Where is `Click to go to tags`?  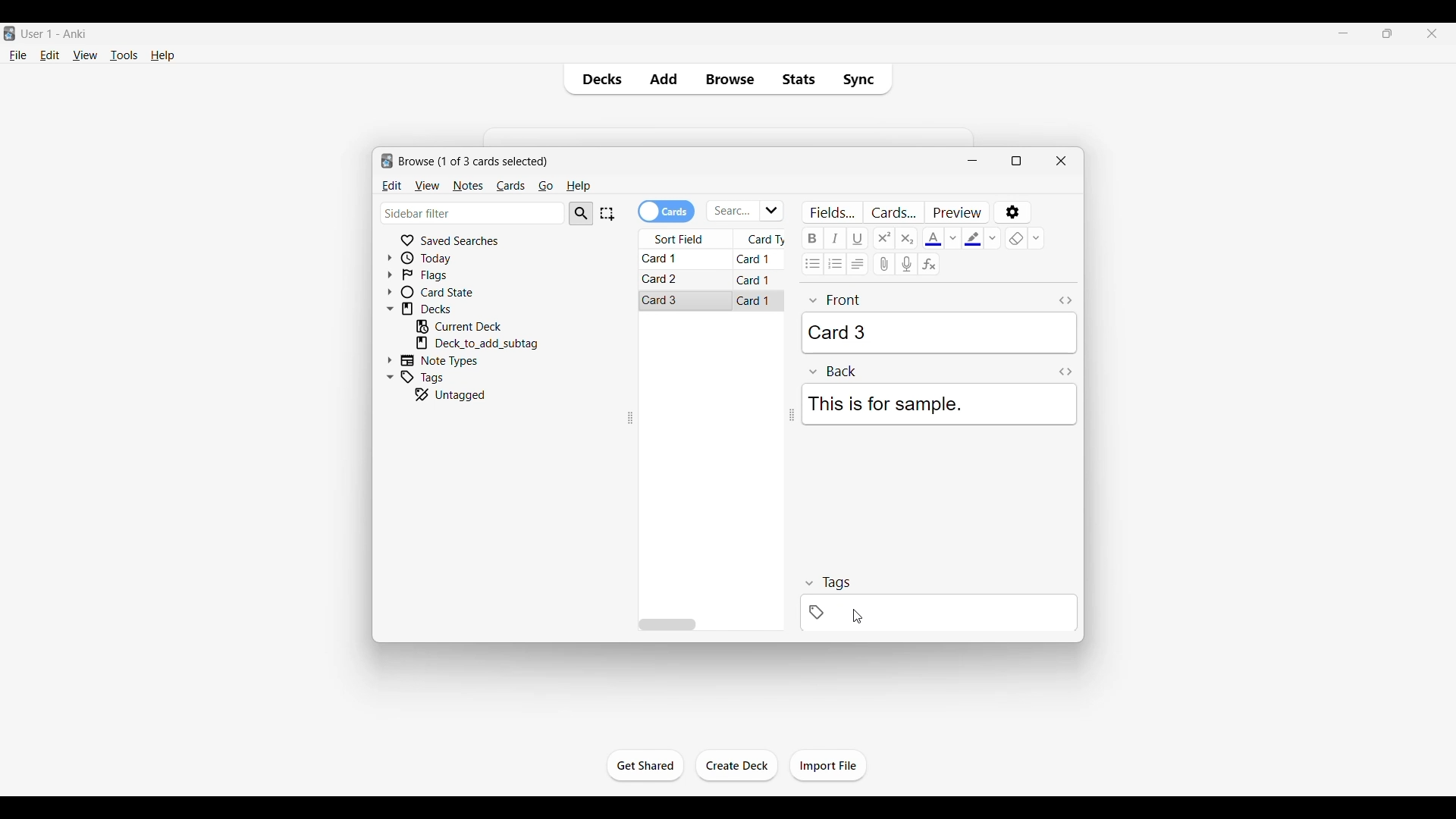
Click to go to tags is located at coordinates (449, 376).